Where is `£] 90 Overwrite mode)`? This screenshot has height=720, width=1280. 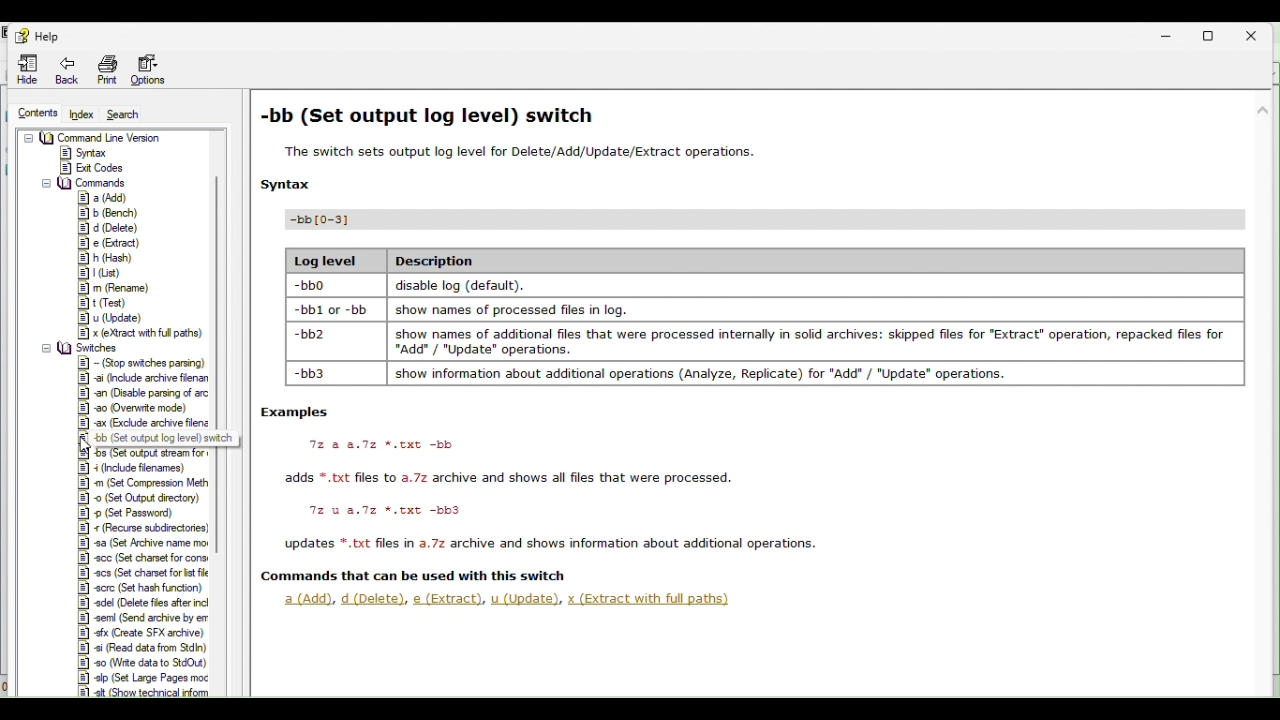 £] 90 Overwrite mode) is located at coordinates (134, 409).